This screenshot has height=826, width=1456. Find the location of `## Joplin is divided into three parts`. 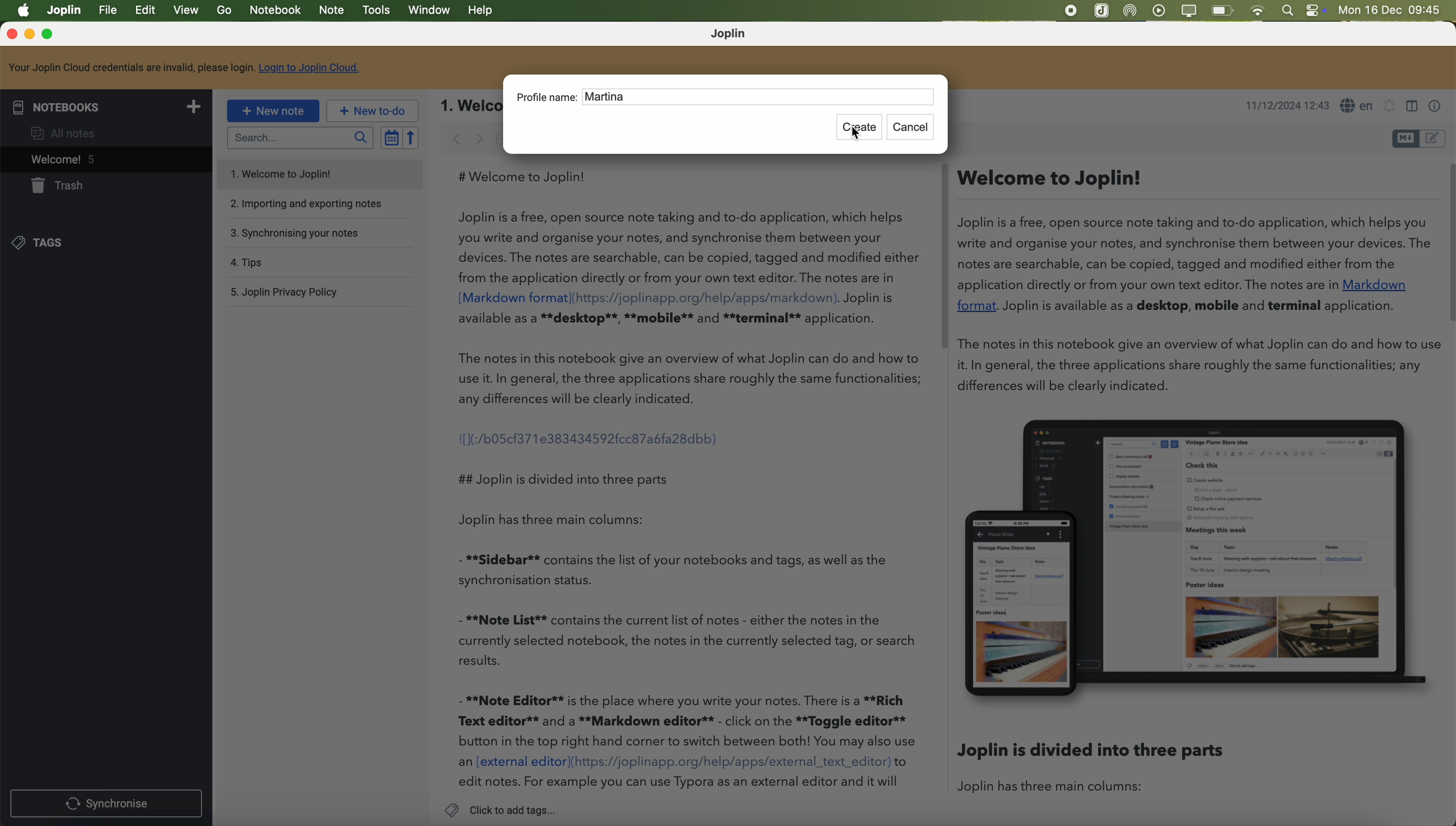

## Joplin is divided into three parts is located at coordinates (563, 478).